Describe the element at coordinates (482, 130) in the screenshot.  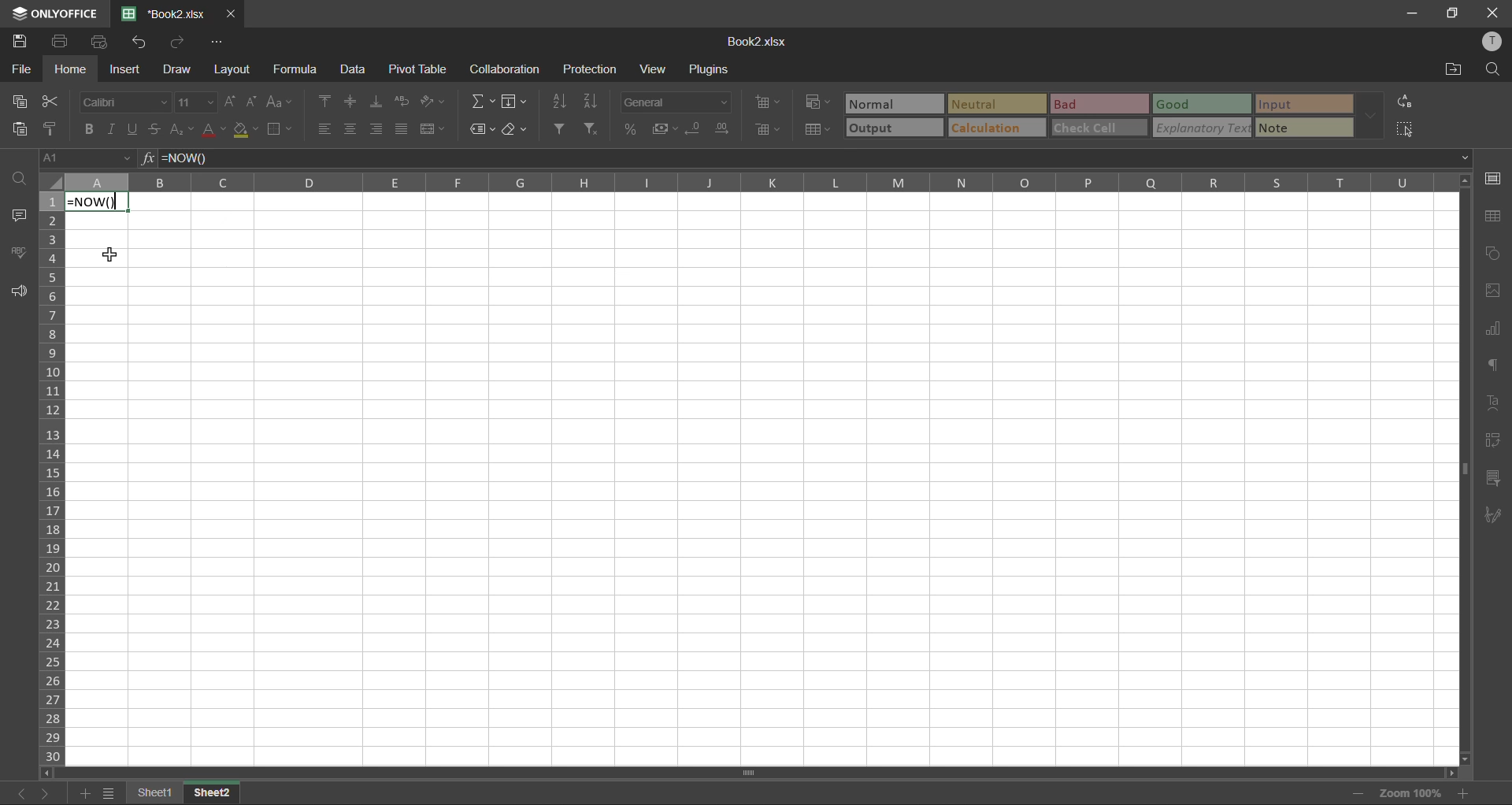
I see `named ranges` at that location.